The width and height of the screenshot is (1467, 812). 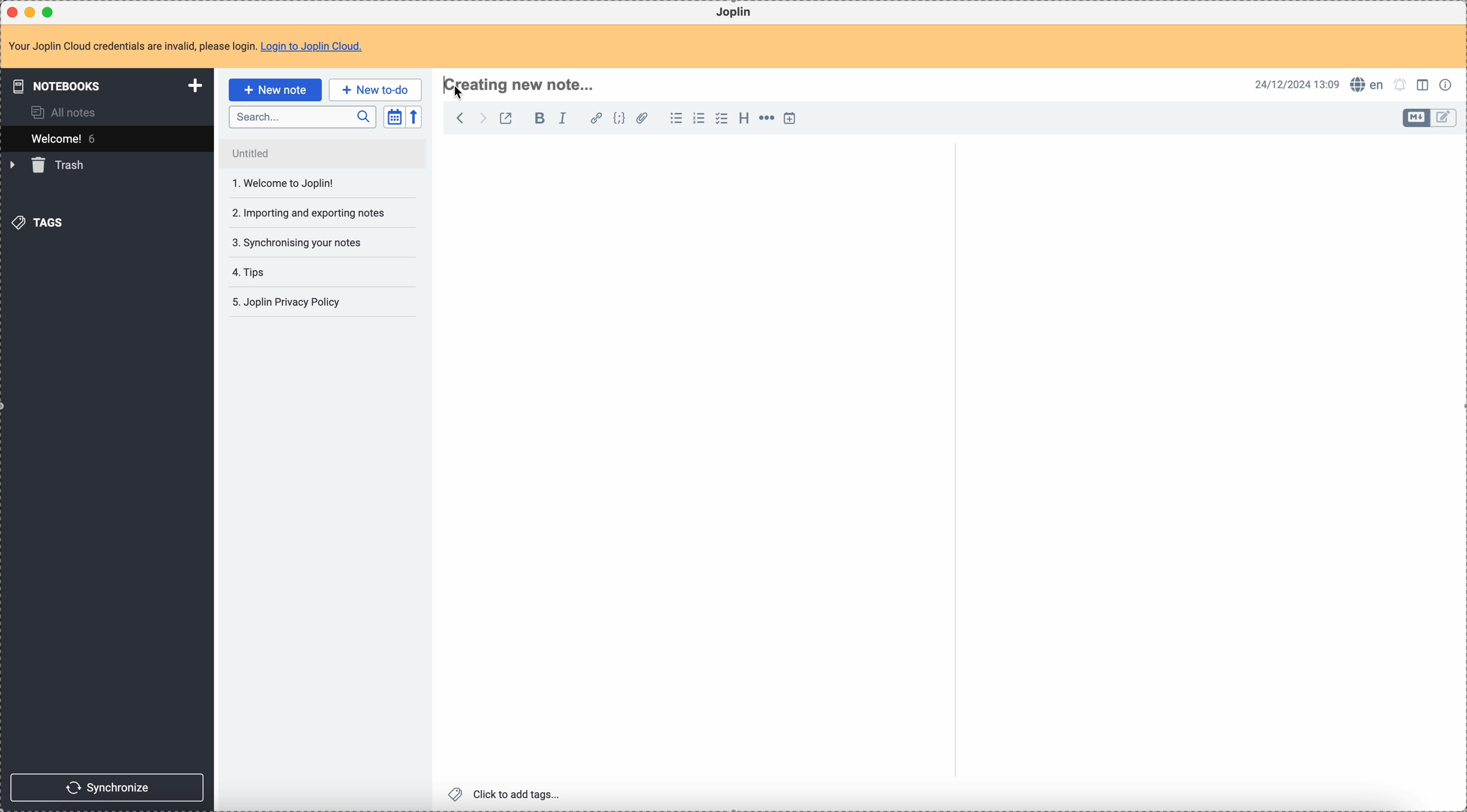 What do you see at coordinates (619, 119) in the screenshot?
I see `code` at bounding box center [619, 119].